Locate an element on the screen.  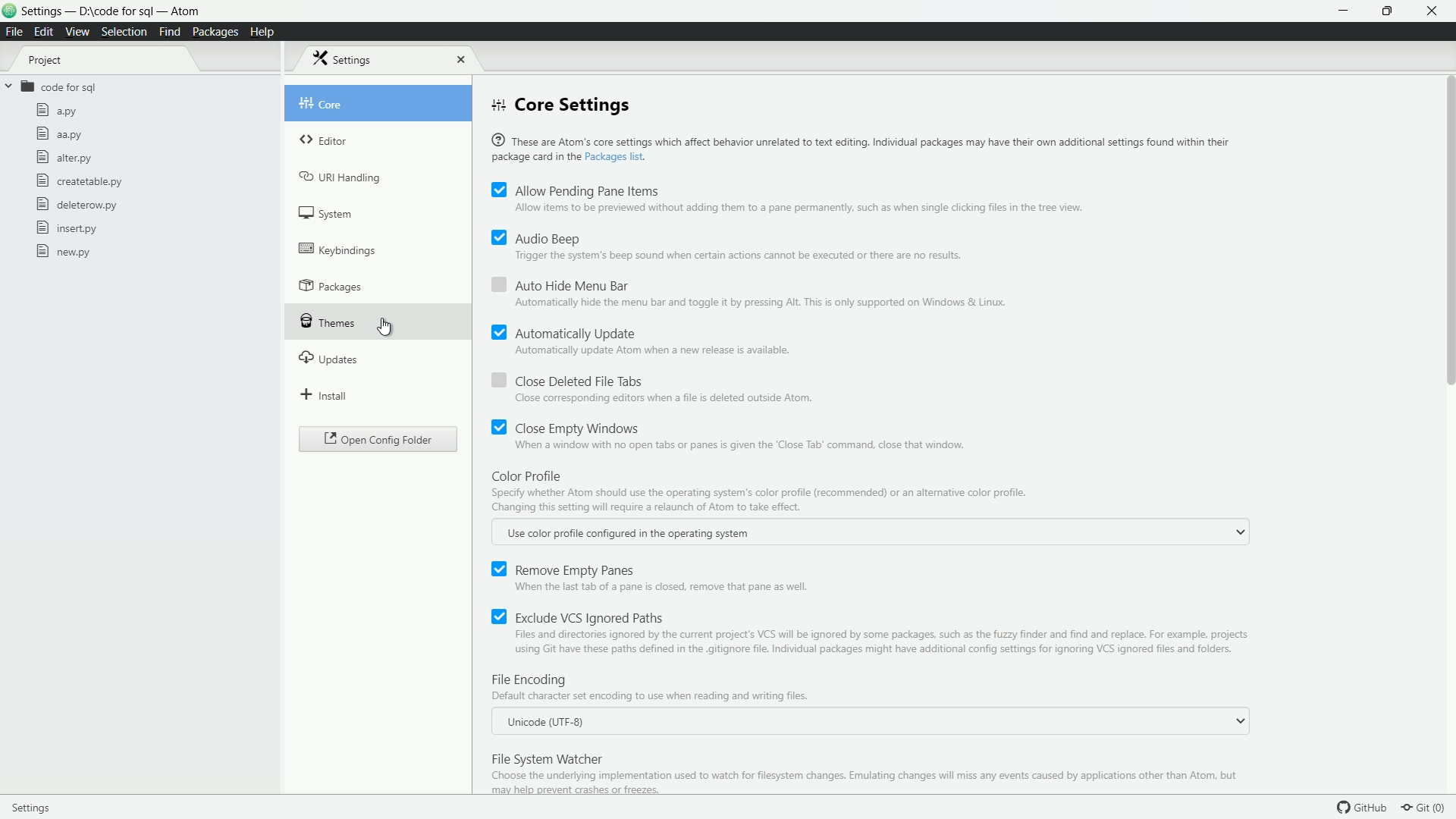
packages menu is located at coordinates (217, 33).